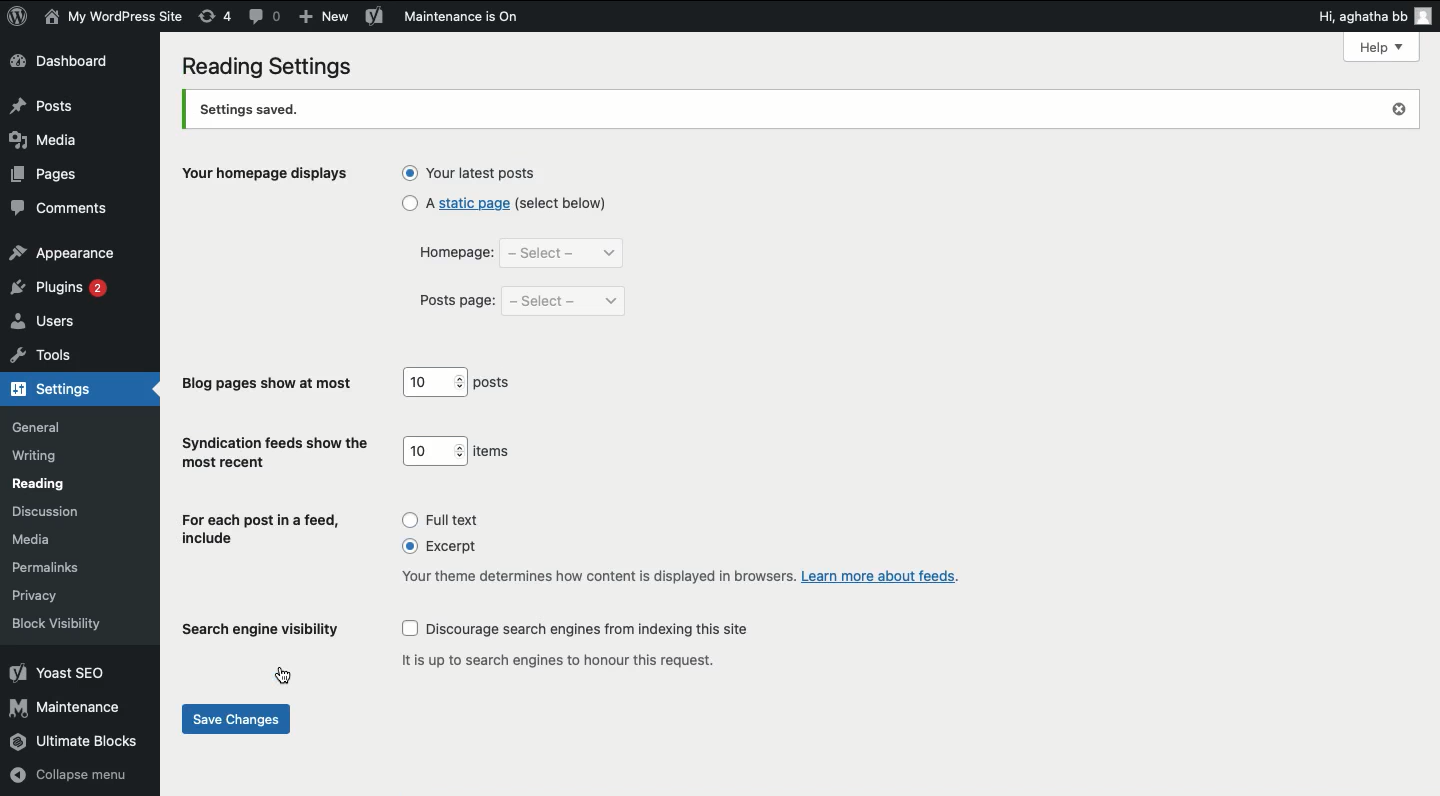 The width and height of the screenshot is (1440, 796). Describe the element at coordinates (239, 718) in the screenshot. I see `save changes` at that location.